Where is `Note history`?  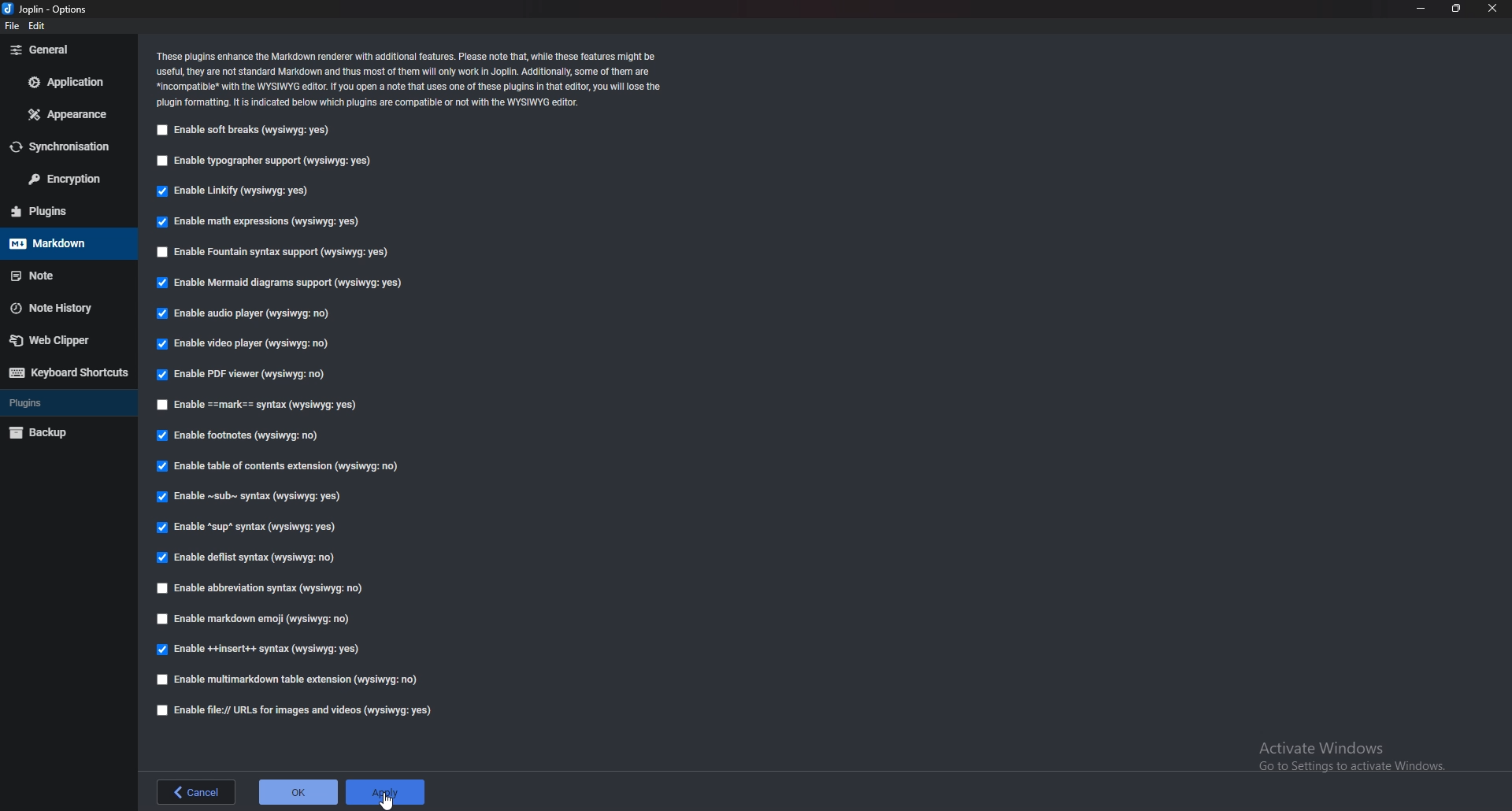
Note history is located at coordinates (70, 307).